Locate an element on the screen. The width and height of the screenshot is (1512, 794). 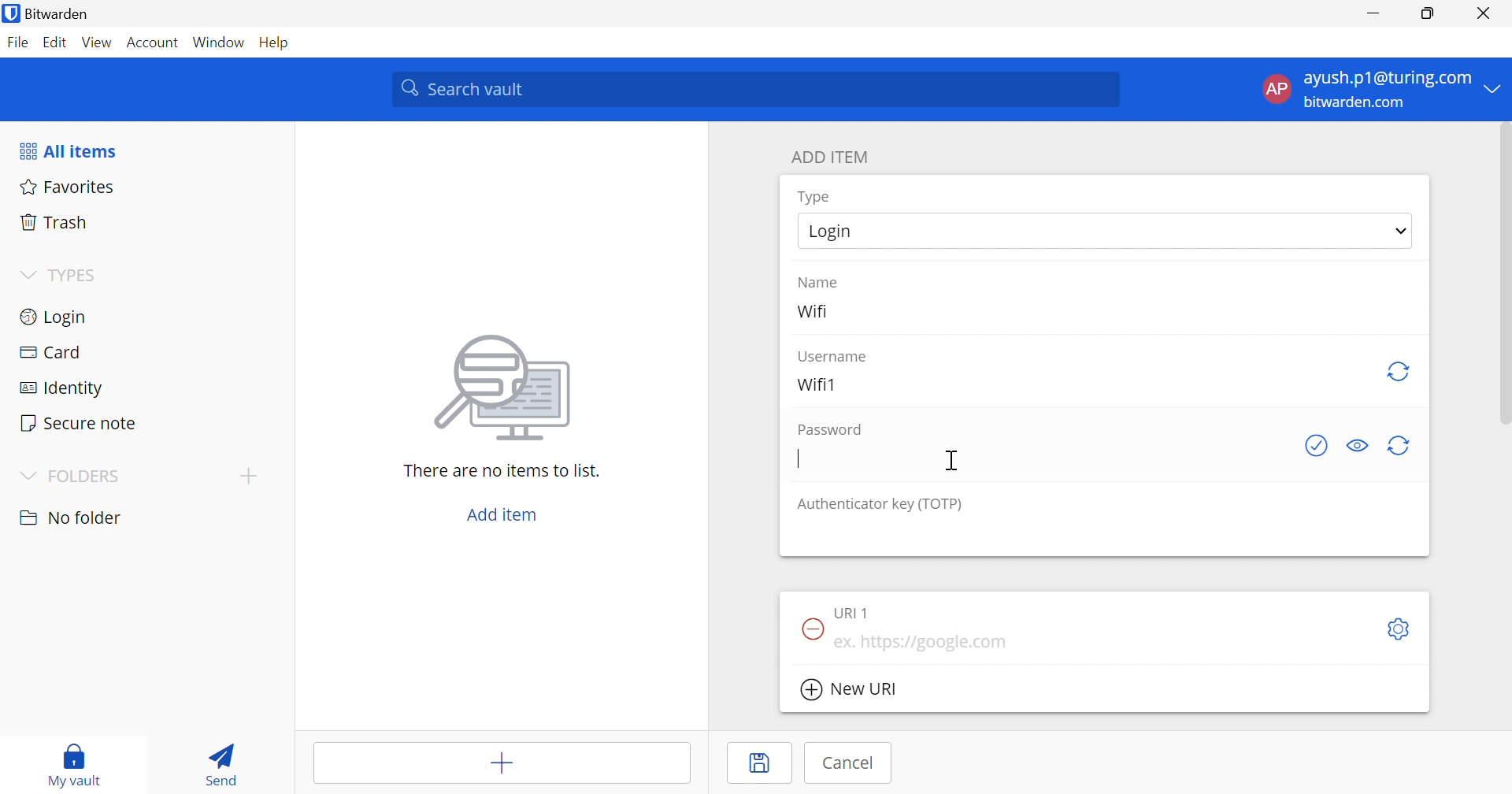
Drop Down is located at coordinates (25, 477).